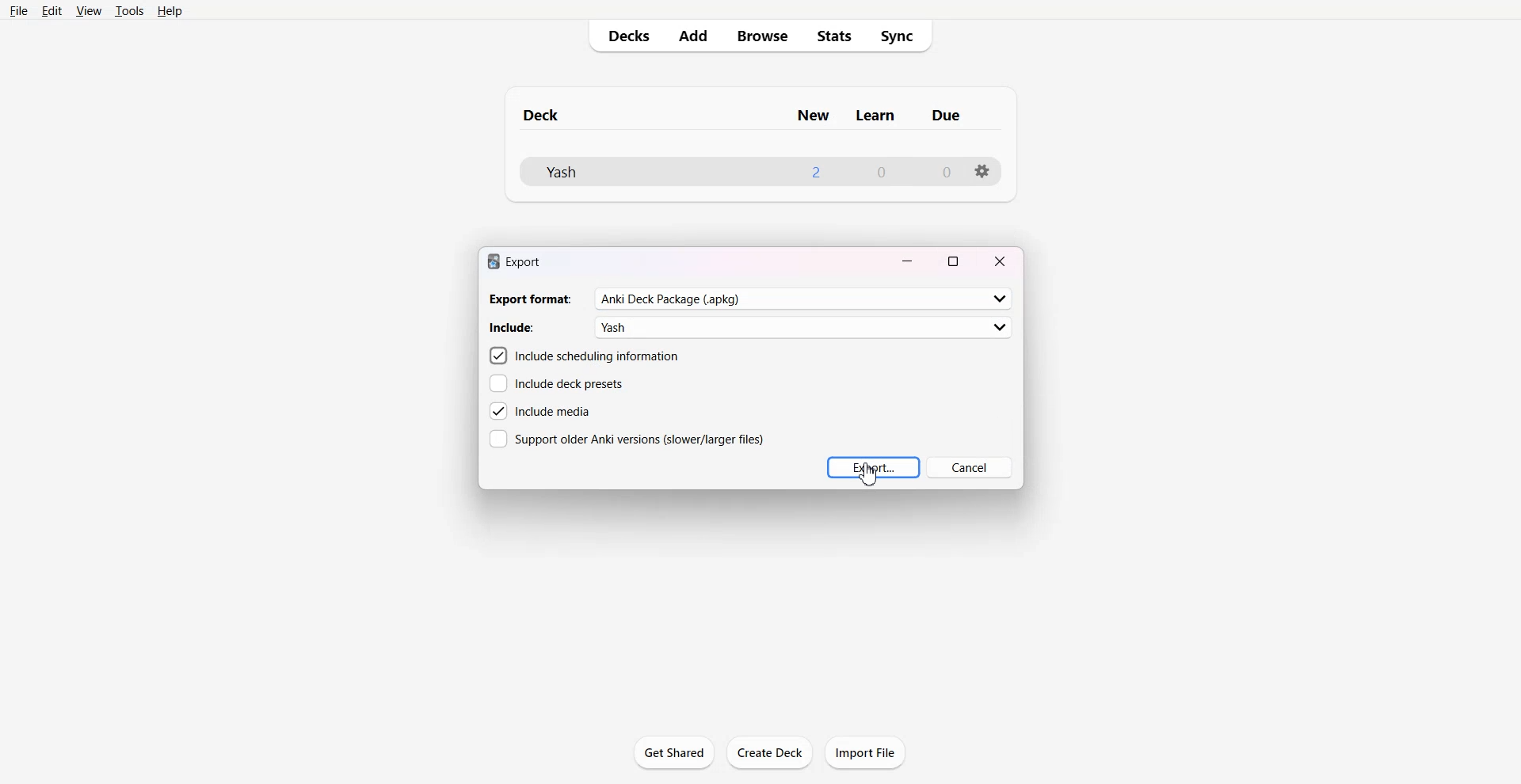  I want to click on Include media, so click(541, 411).